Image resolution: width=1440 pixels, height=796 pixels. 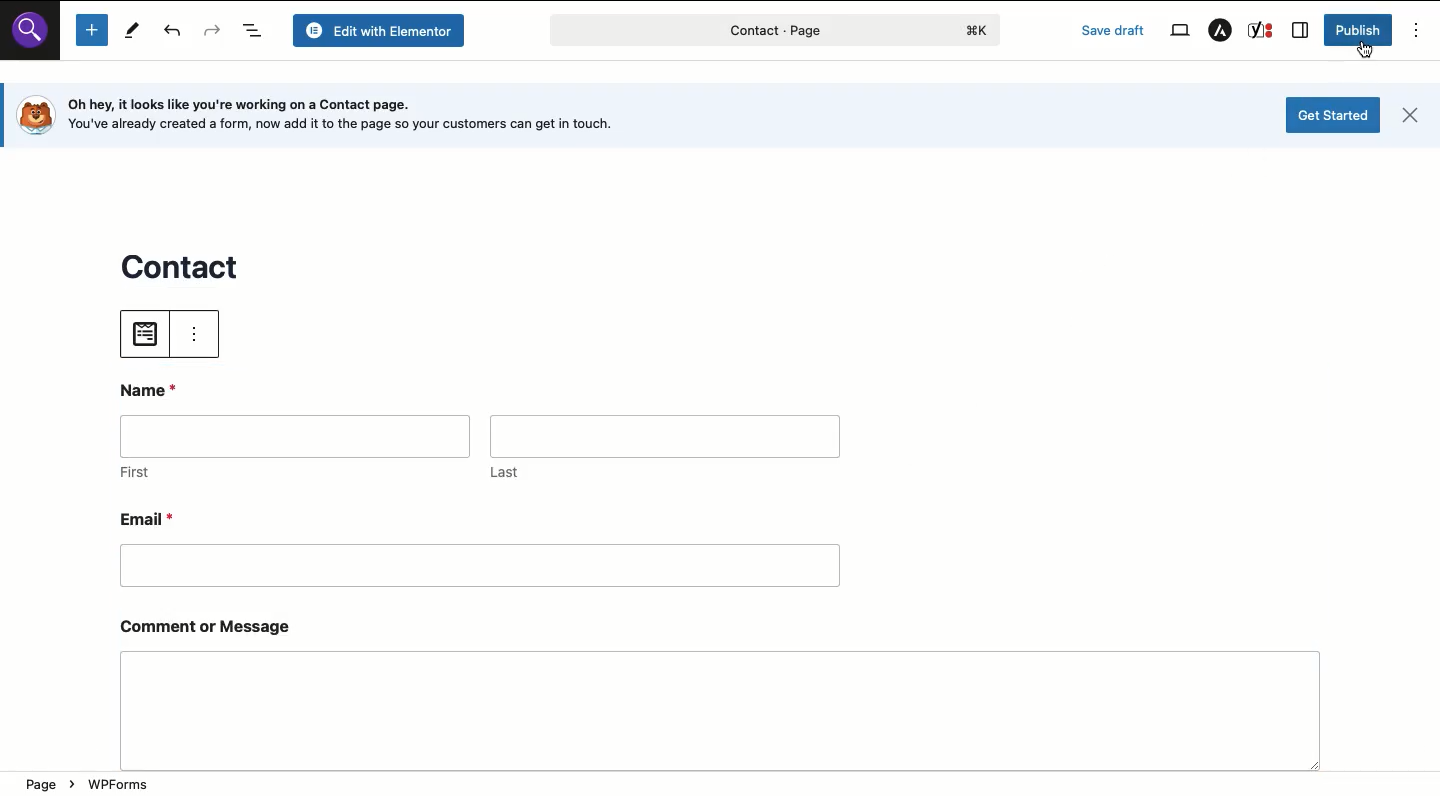 I want to click on Astra, so click(x=1219, y=31).